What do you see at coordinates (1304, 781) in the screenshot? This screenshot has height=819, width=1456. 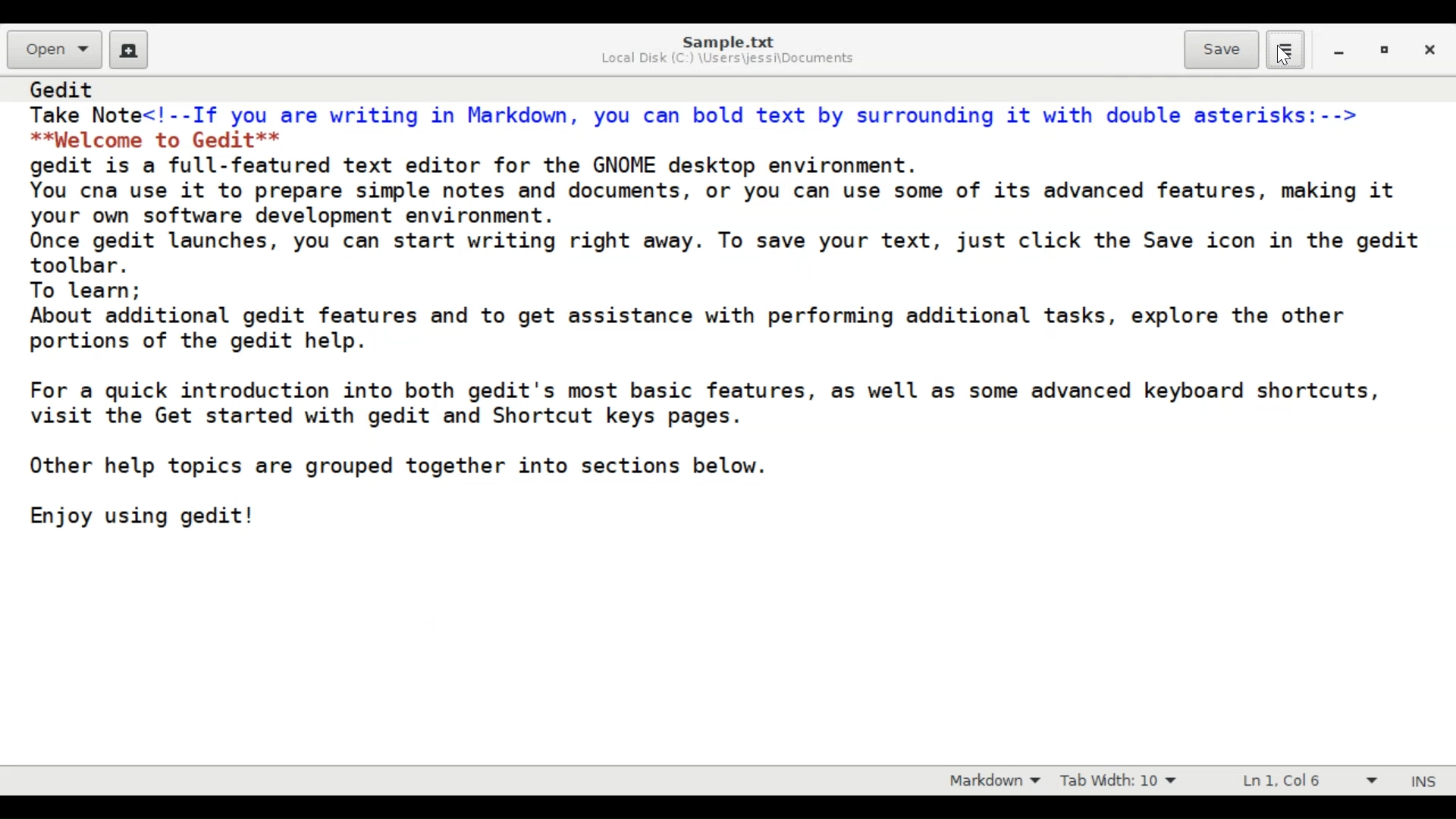 I see `Ln 1,  Col 6` at bounding box center [1304, 781].